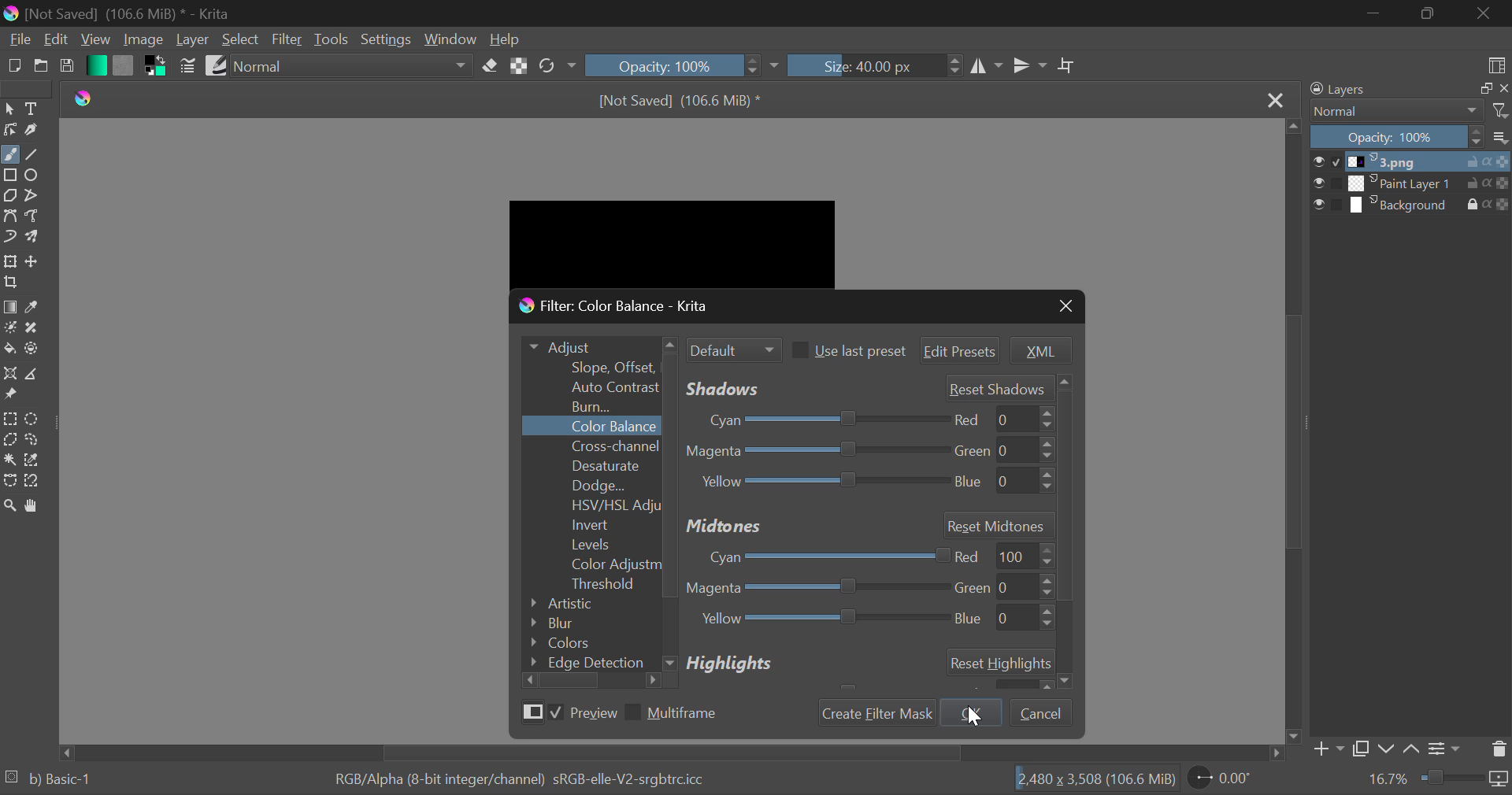  What do you see at coordinates (1063, 532) in the screenshot?
I see `` at bounding box center [1063, 532].